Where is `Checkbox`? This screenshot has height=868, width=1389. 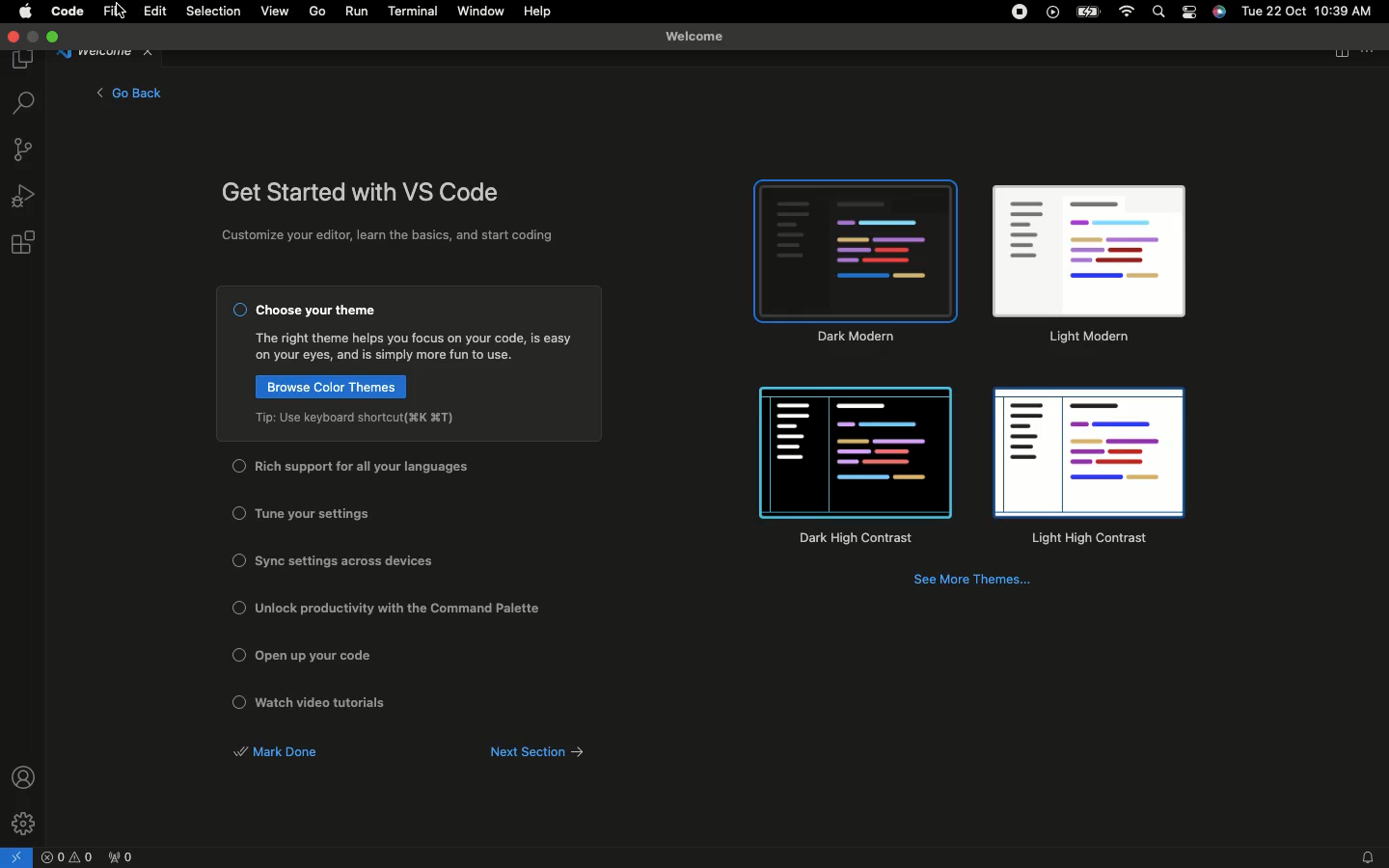 Checkbox is located at coordinates (239, 512).